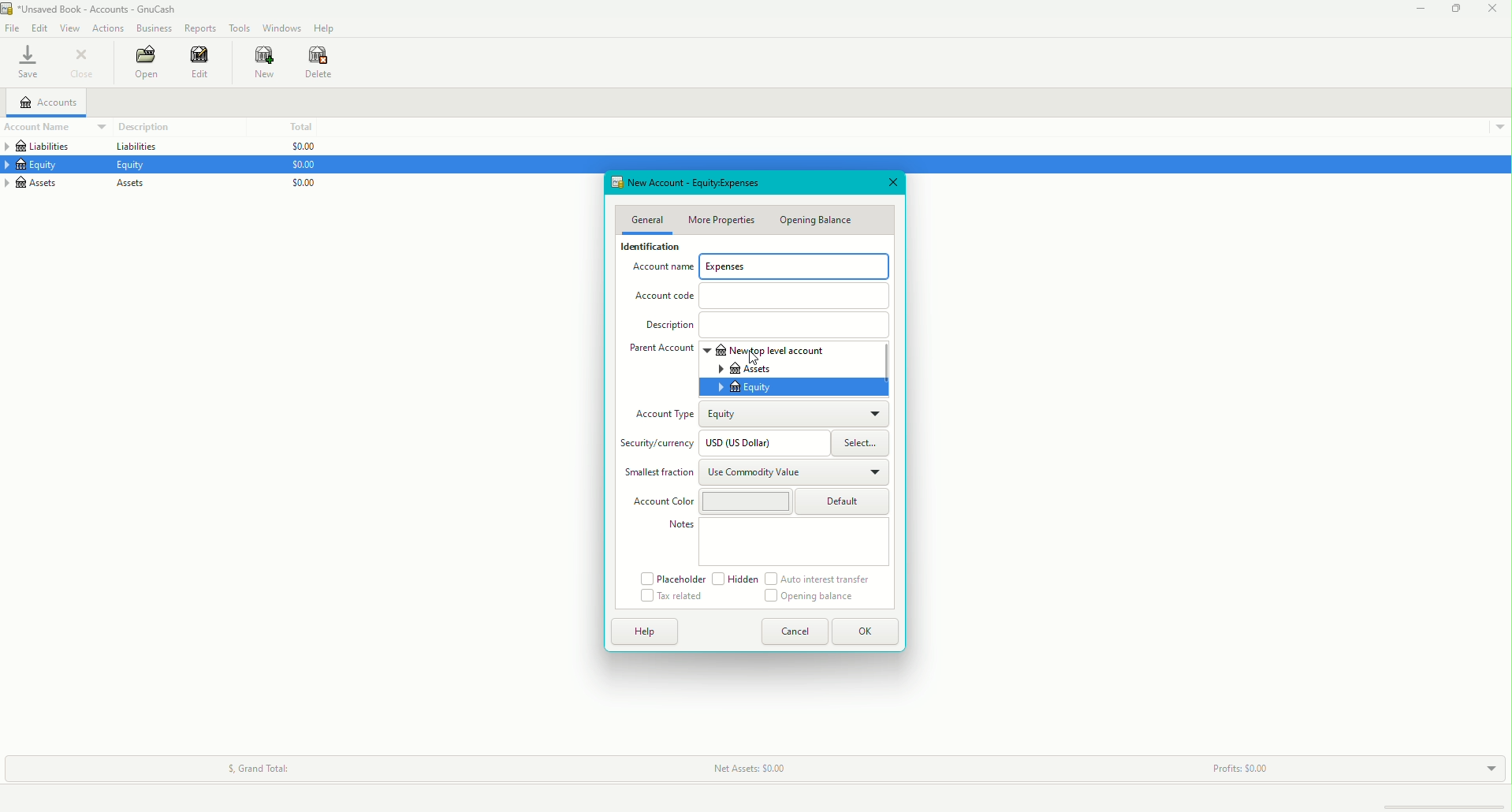 The height and width of the screenshot is (812, 1512). What do you see at coordinates (650, 633) in the screenshot?
I see `Help` at bounding box center [650, 633].